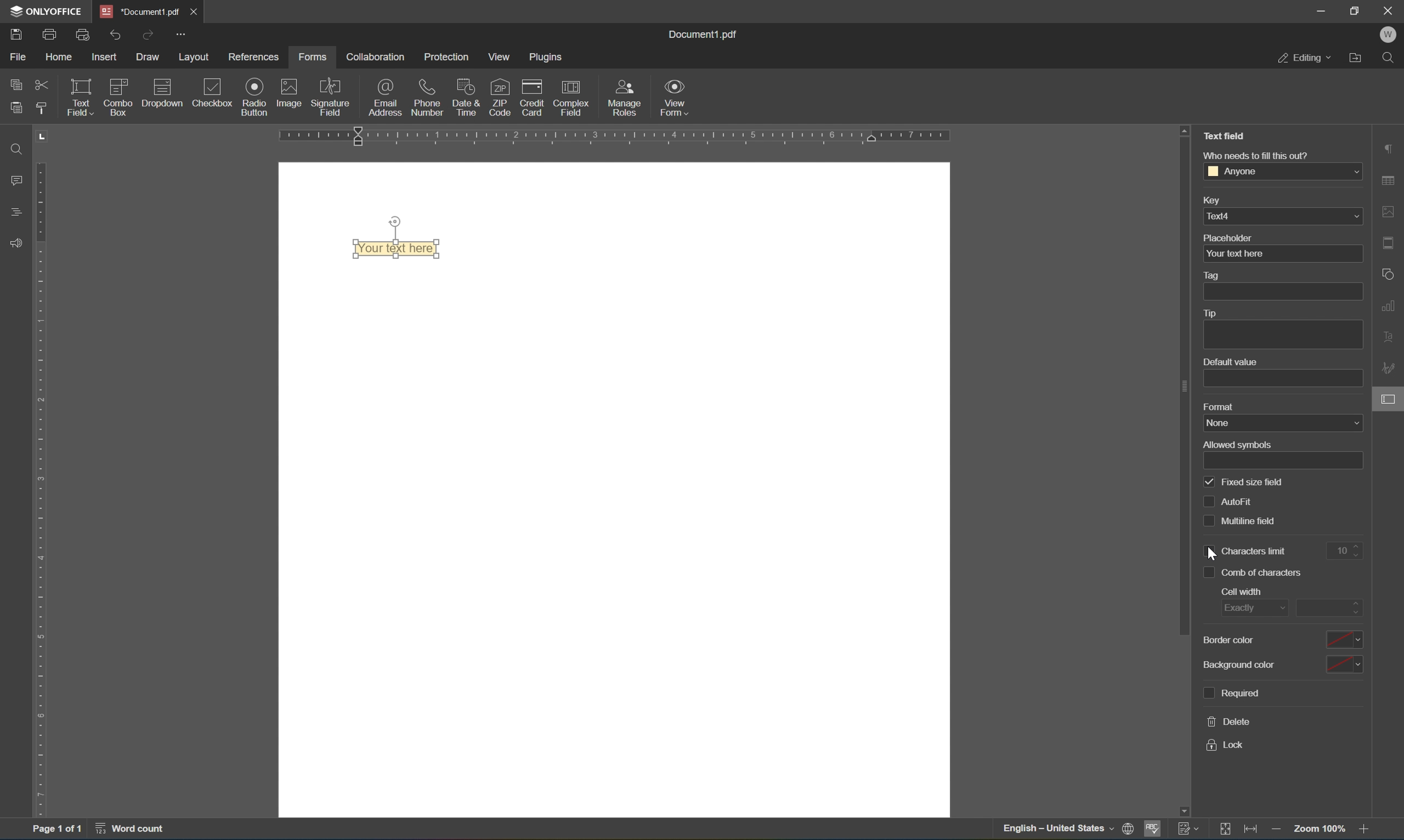  What do you see at coordinates (1388, 182) in the screenshot?
I see `table settings` at bounding box center [1388, 182].